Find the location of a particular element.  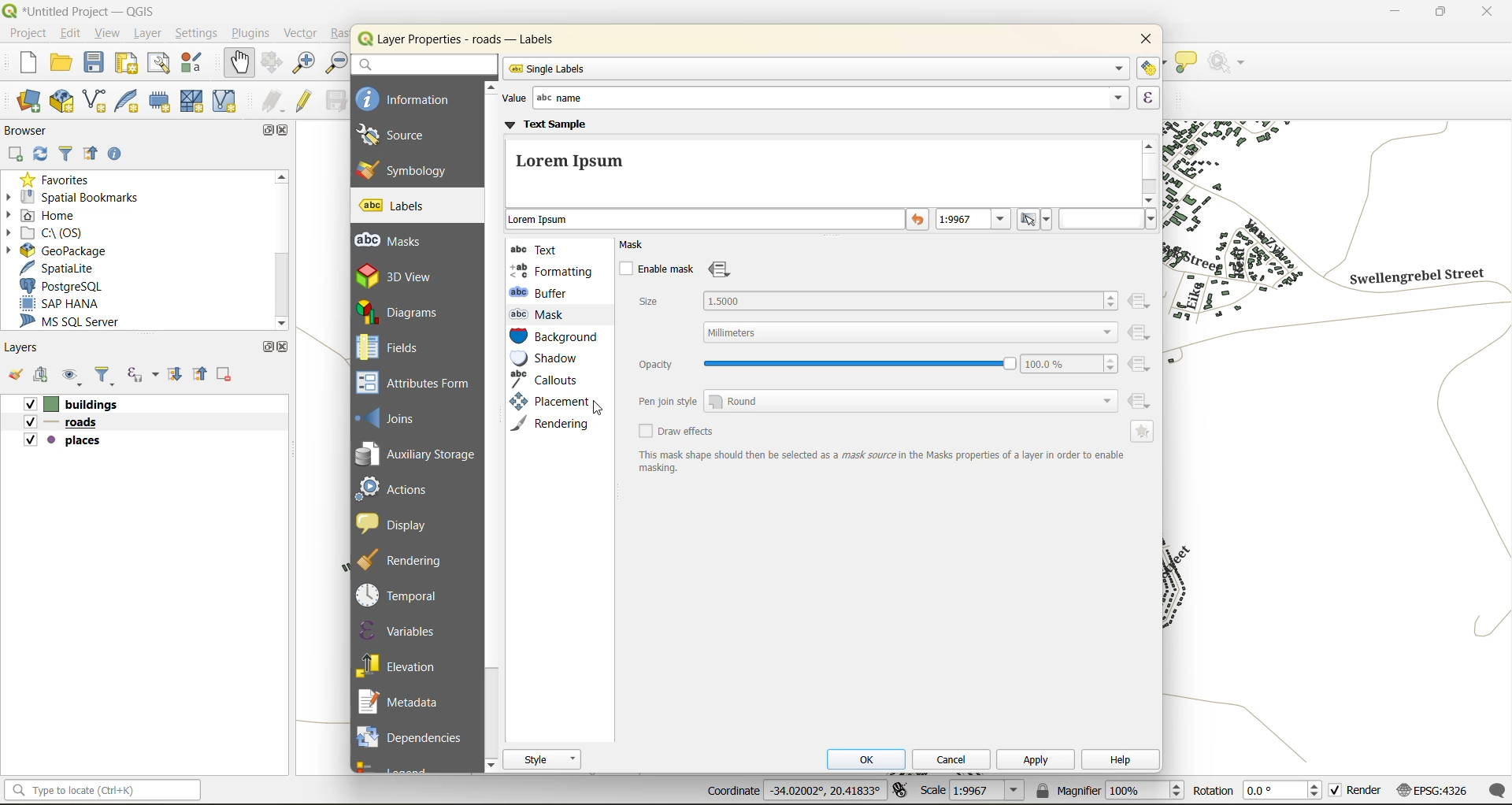

data defined override is located at coordinates (1141, 353).